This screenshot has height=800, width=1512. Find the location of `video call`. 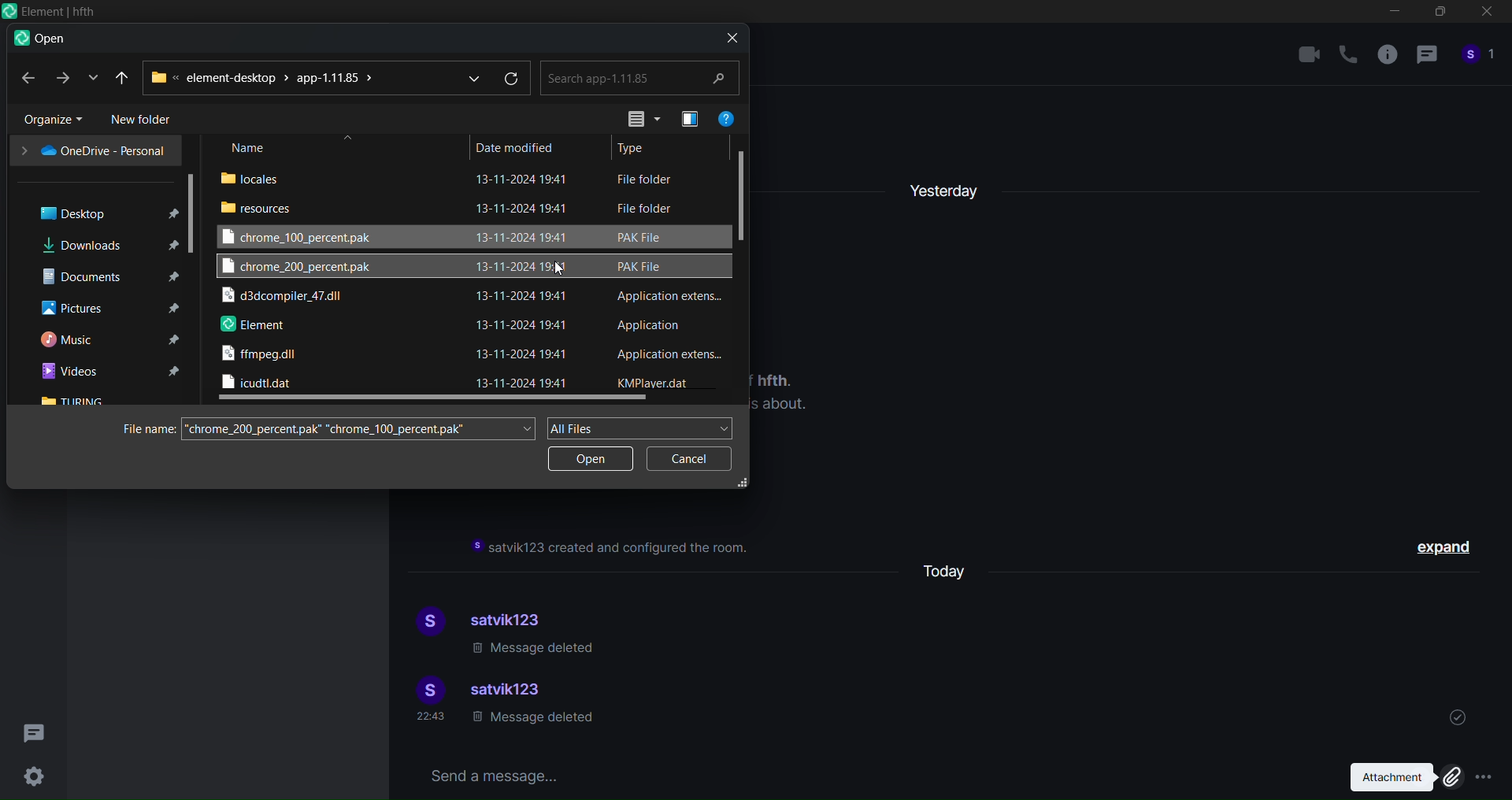

video call is located at coordinates (1309, 54).